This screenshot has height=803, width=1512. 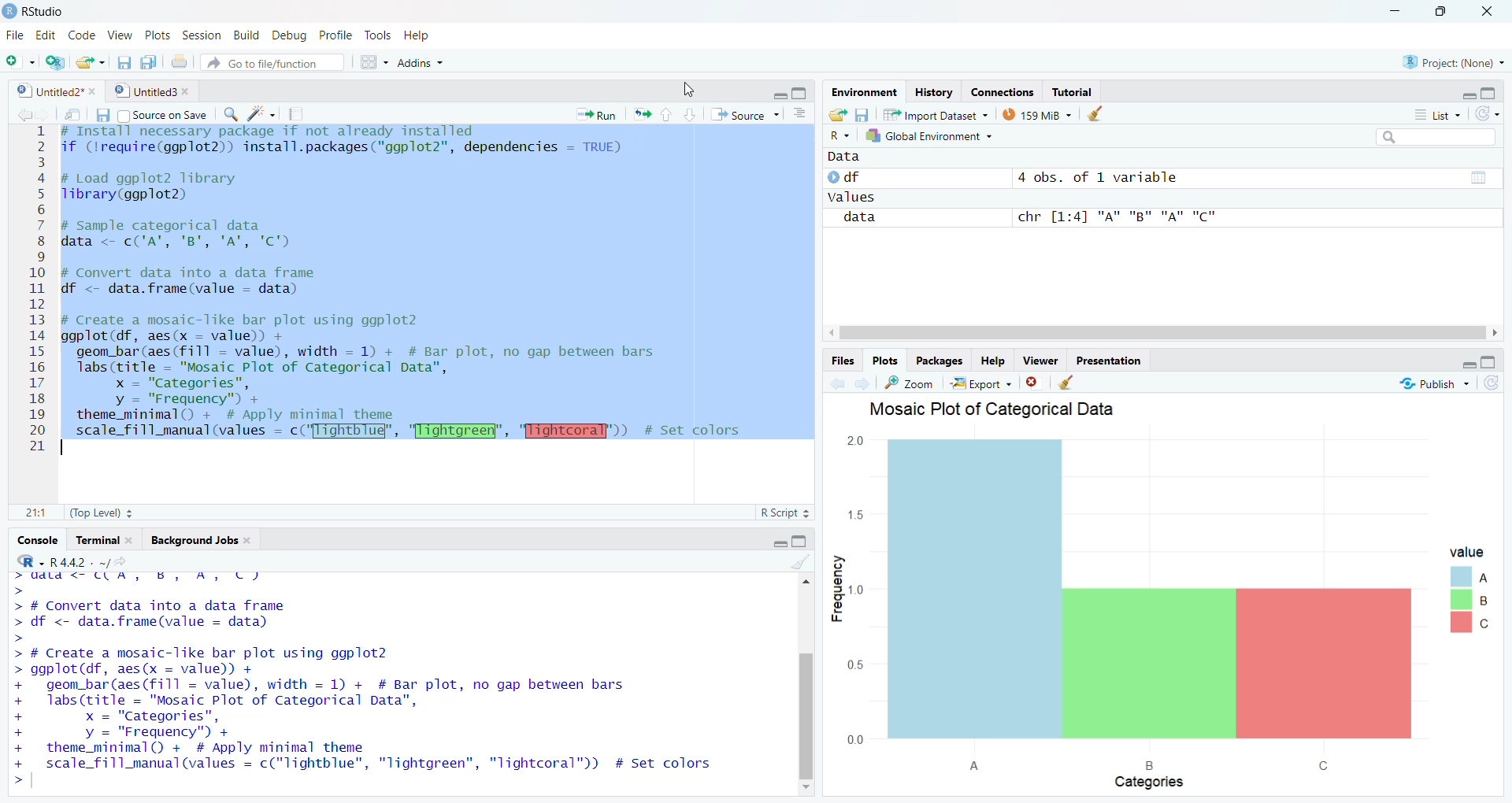 What do you see at coordinates (641, 115) in the screenshot?
I see `Re-run` at bounding box center [641, 115].